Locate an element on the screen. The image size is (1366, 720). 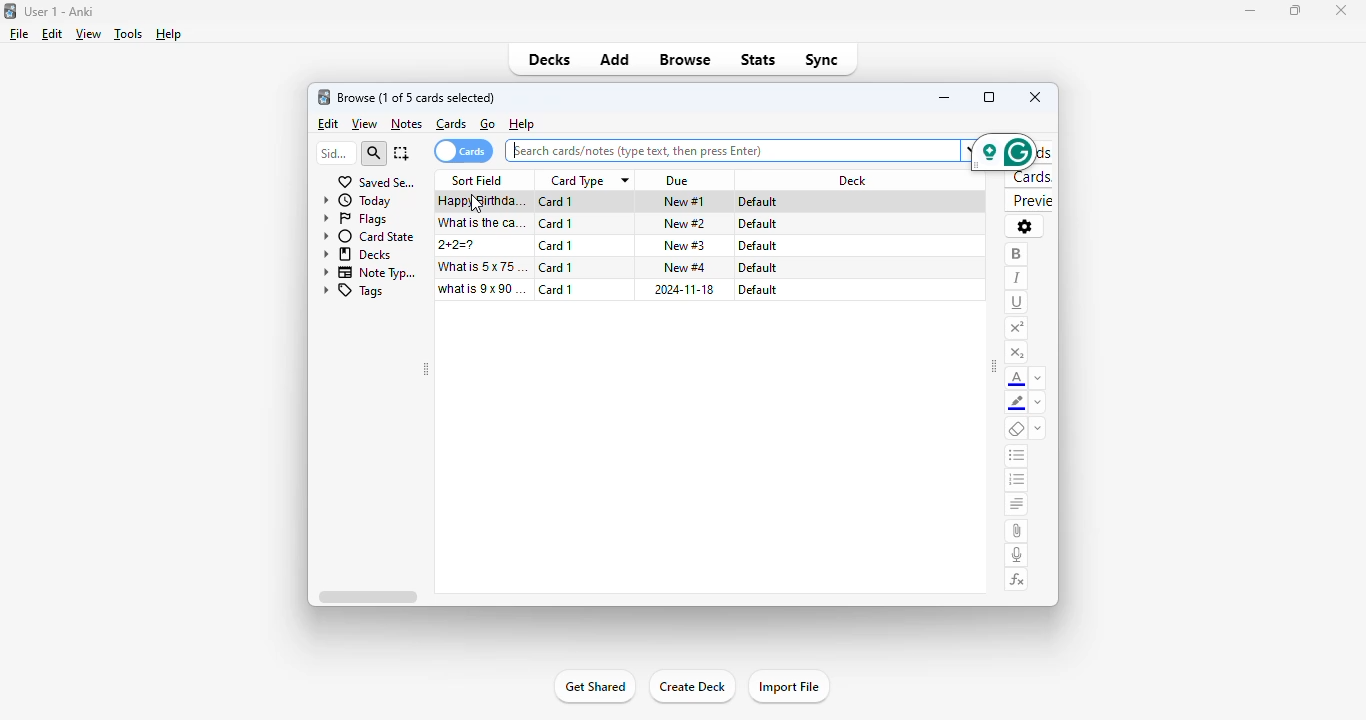
today is located at coordinates (356, 201).